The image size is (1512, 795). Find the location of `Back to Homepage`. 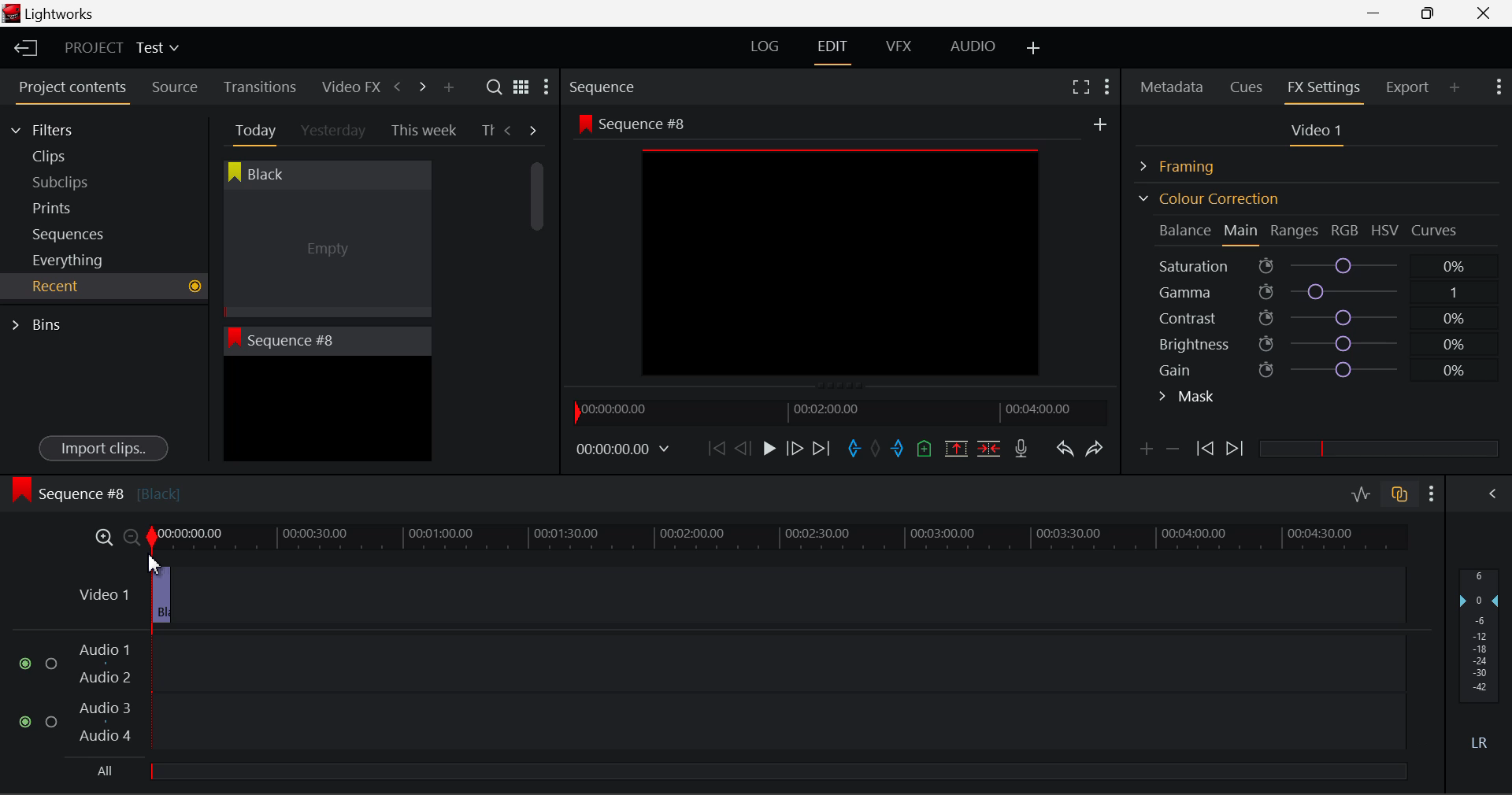

Back to Homepage is located at coordinates (20, 49).